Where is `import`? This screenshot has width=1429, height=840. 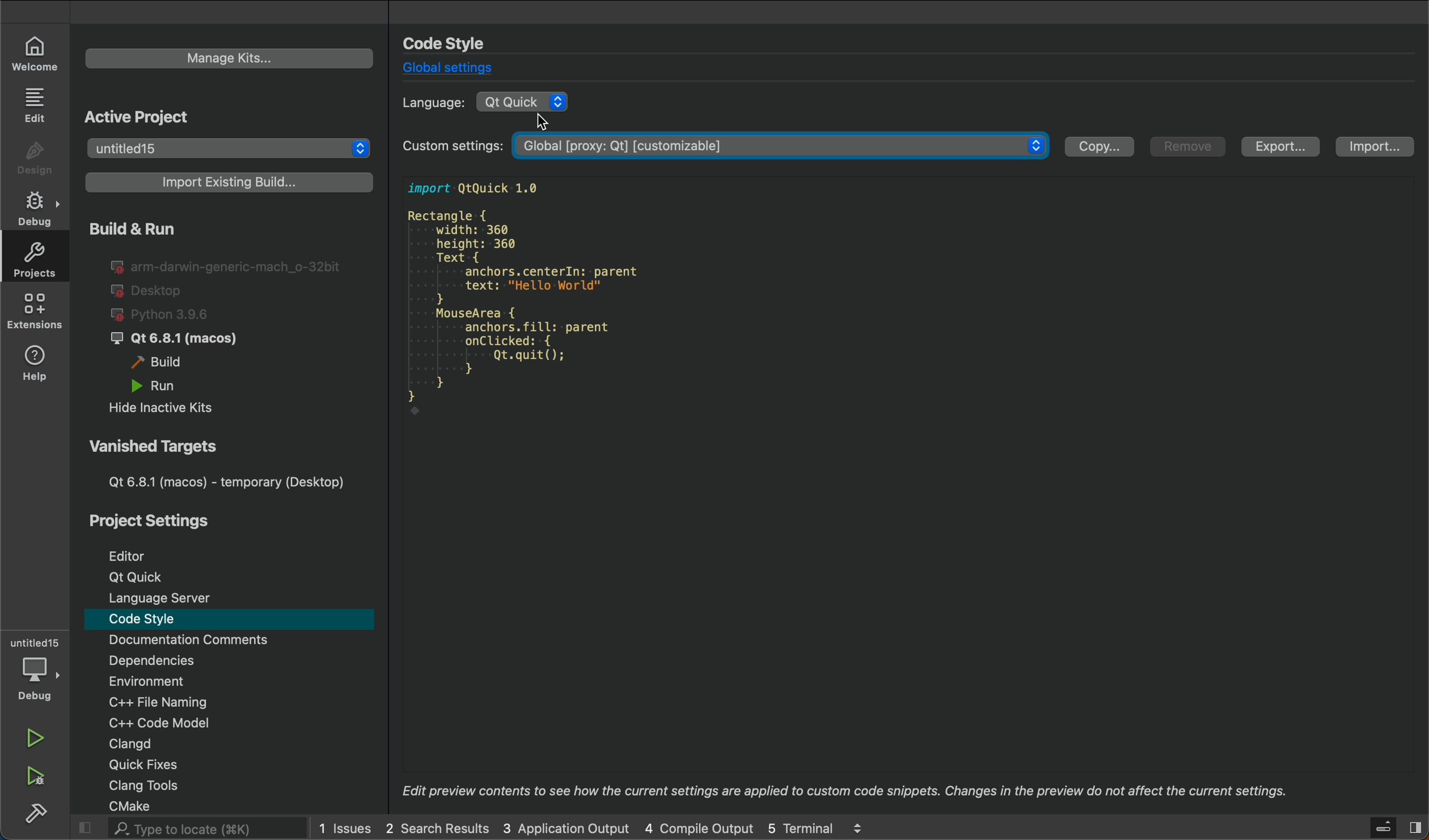 import is located at coordinates (1380, 149).